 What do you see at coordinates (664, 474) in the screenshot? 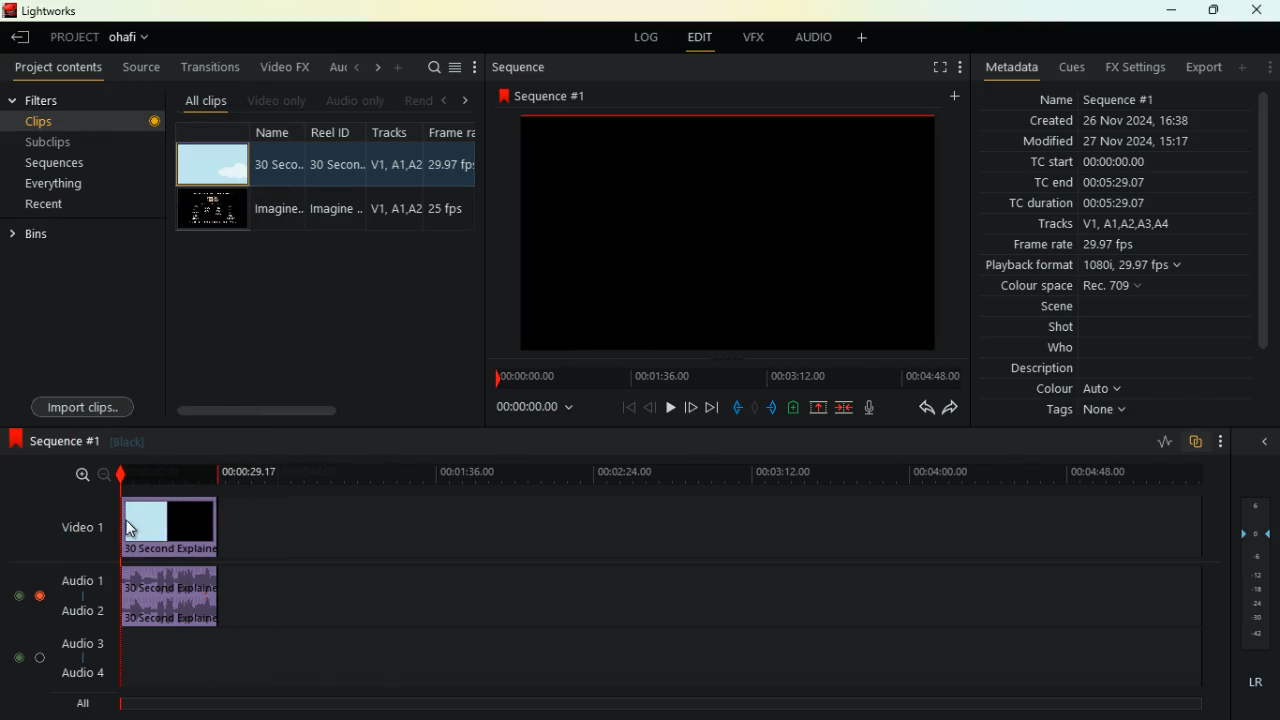
I see `time` at bounding box center [664, 474].